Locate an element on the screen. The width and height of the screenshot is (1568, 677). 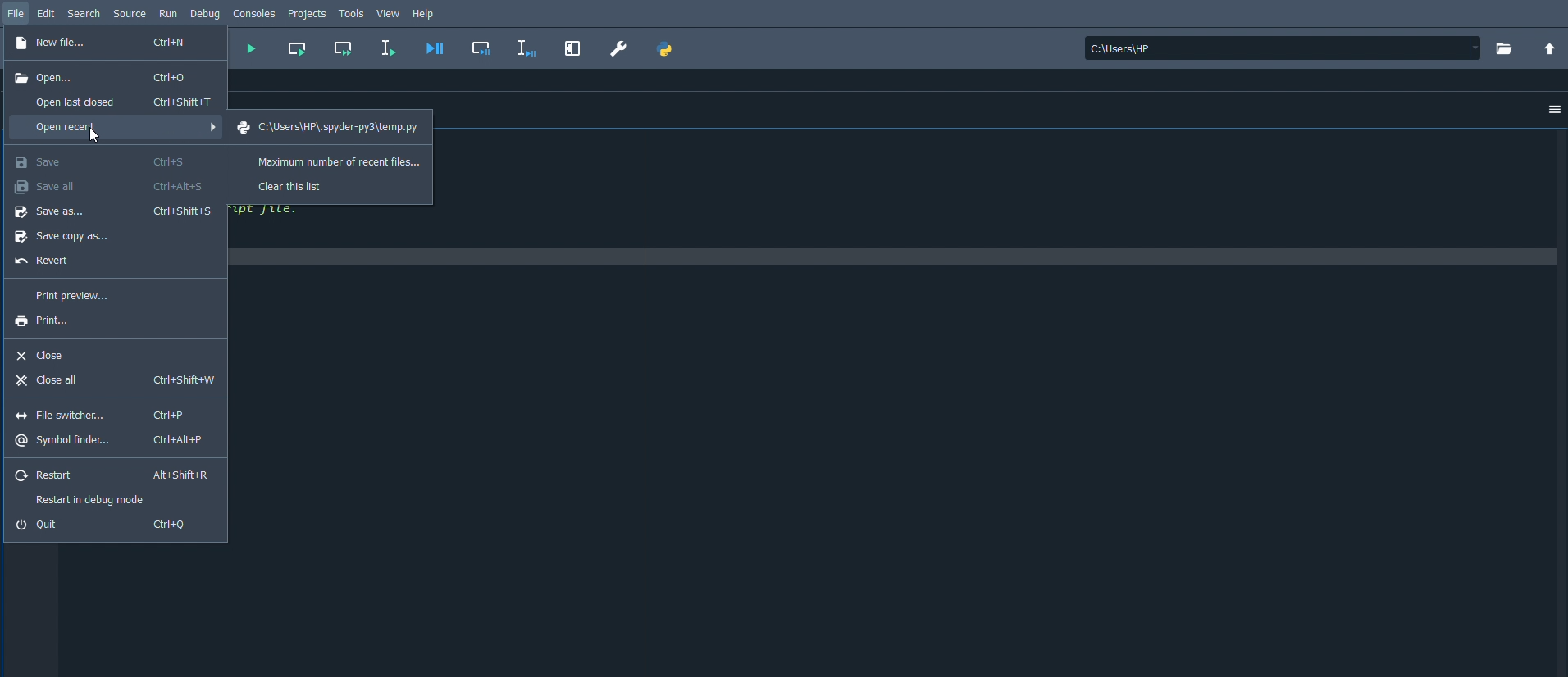
Open recent is located at coordinates (115, 129).